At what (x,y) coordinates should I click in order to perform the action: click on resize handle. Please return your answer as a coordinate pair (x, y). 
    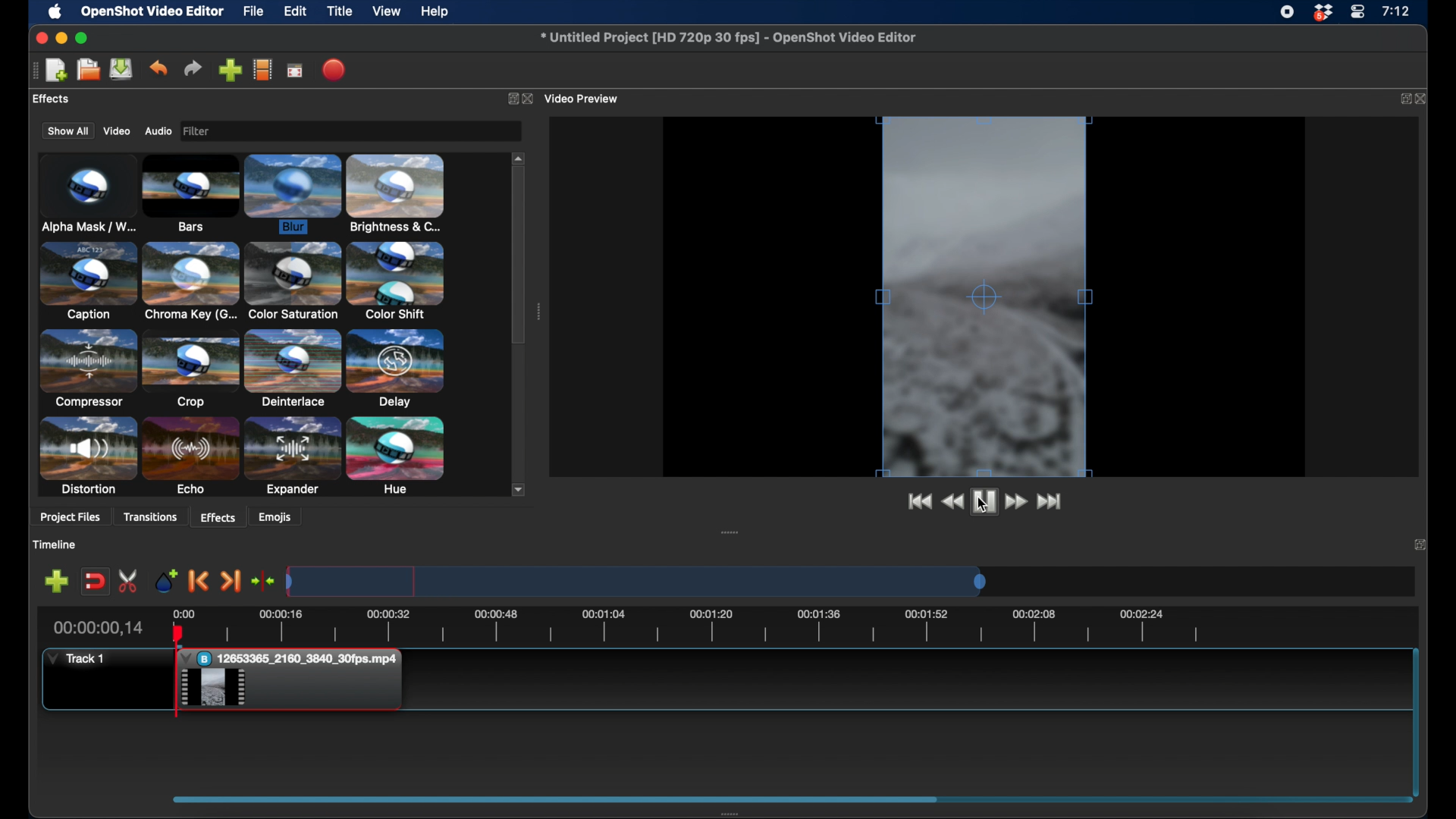
    Looking at the image, I should click on (1087, 286).